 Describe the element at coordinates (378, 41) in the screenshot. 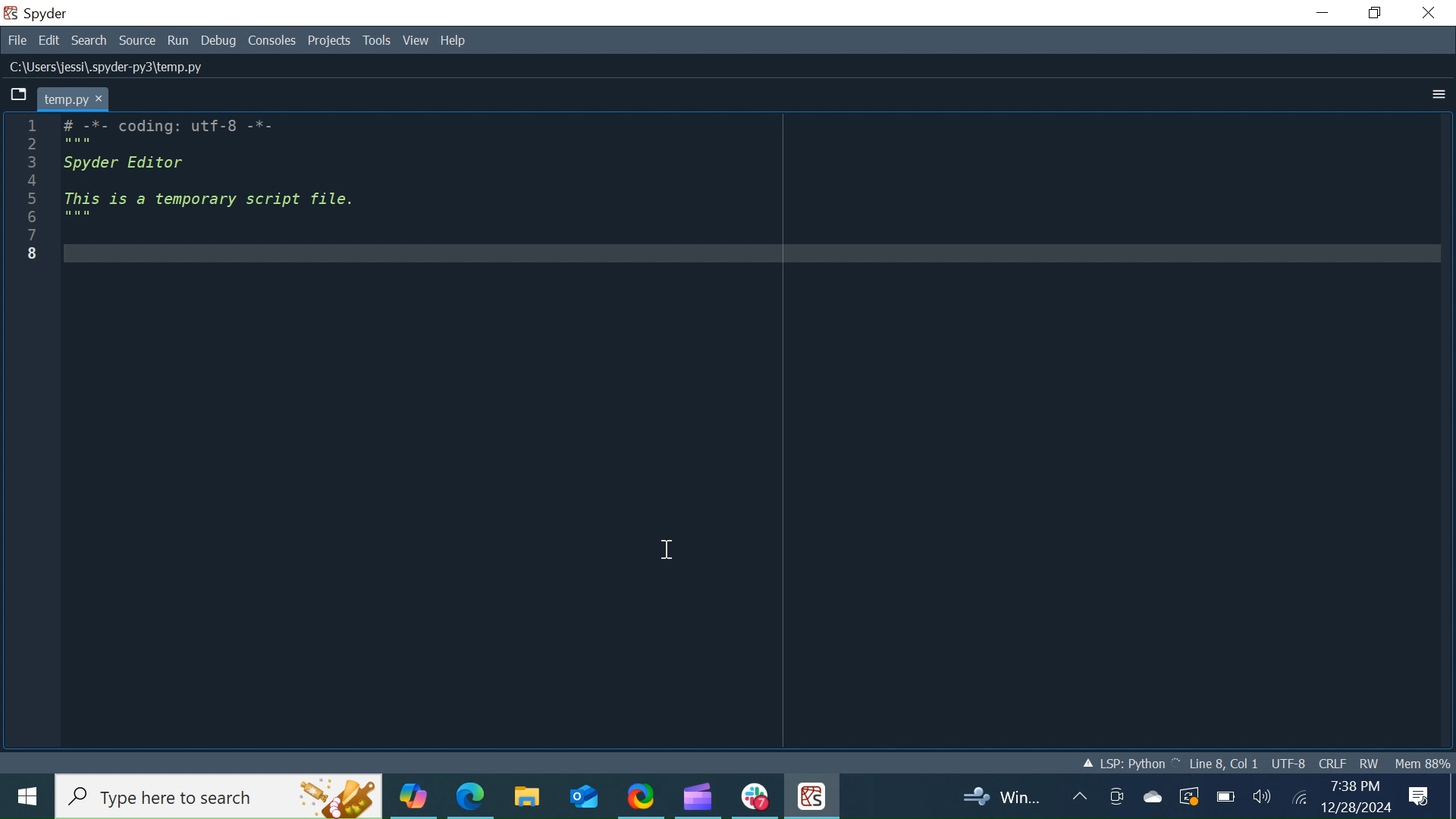

I see `Tools` at that location.